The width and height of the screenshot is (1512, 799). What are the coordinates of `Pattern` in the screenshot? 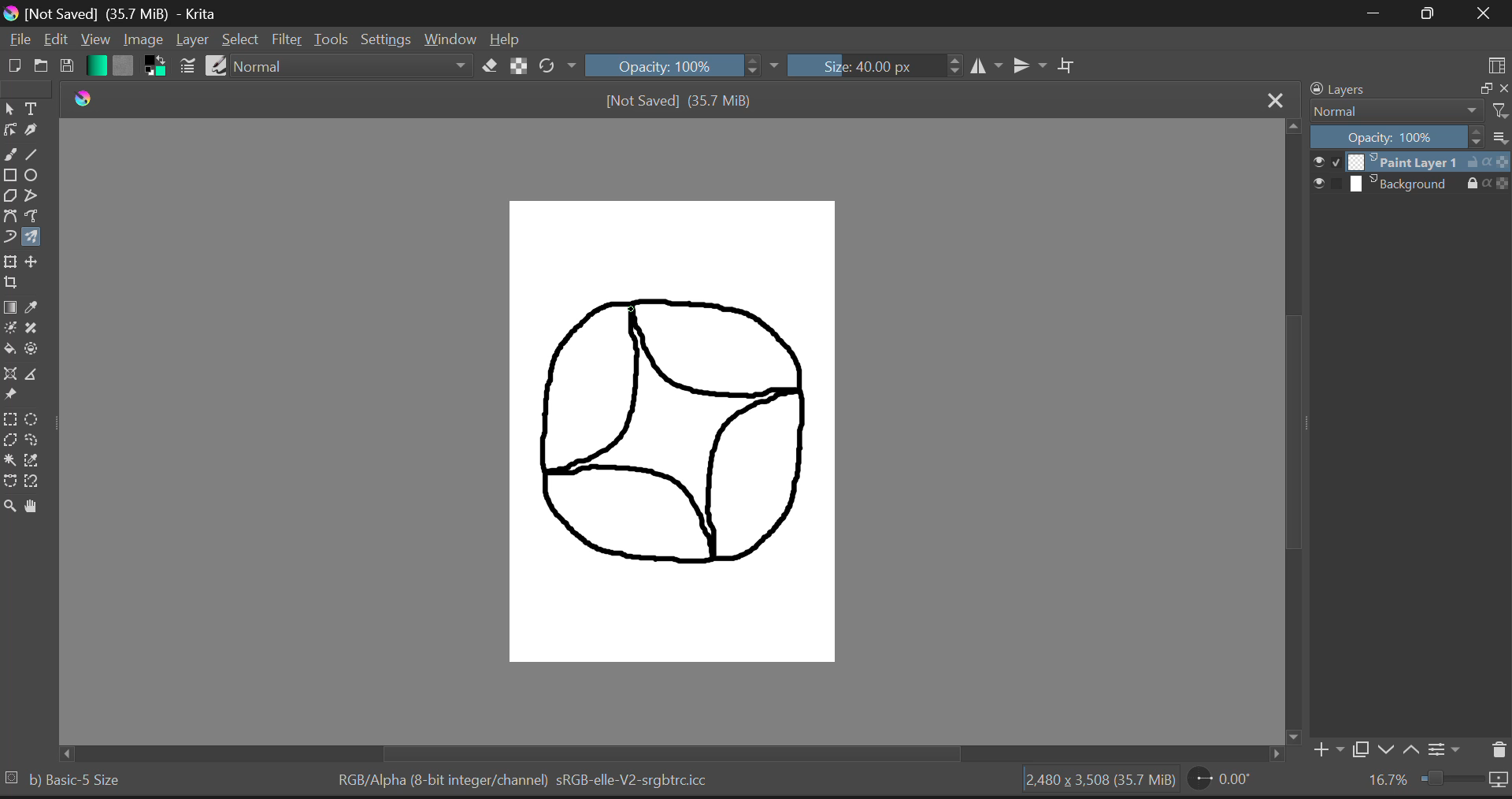 It's located at (126, 66).